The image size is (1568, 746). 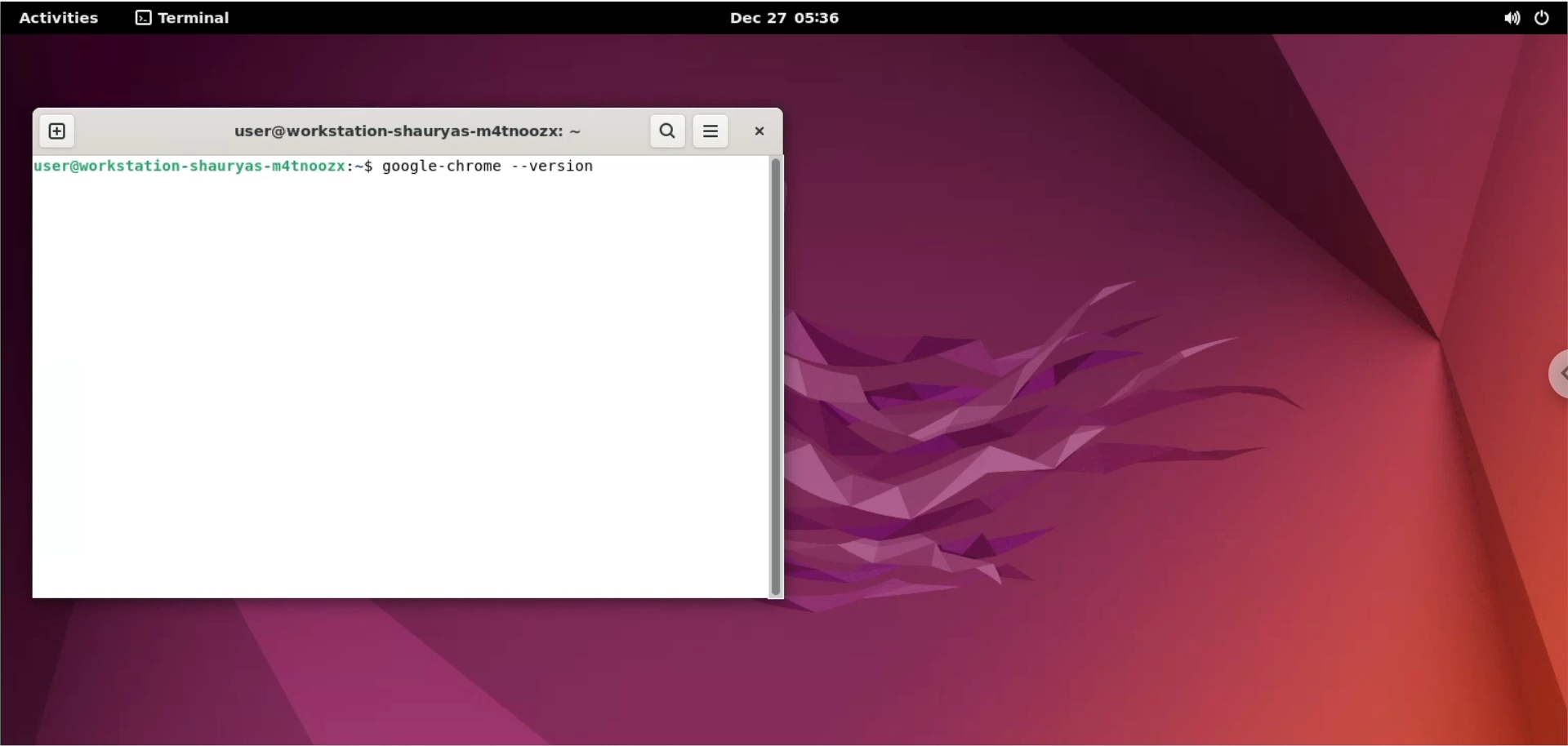 I want to click on scrollbar, so click(x=778, y=377).